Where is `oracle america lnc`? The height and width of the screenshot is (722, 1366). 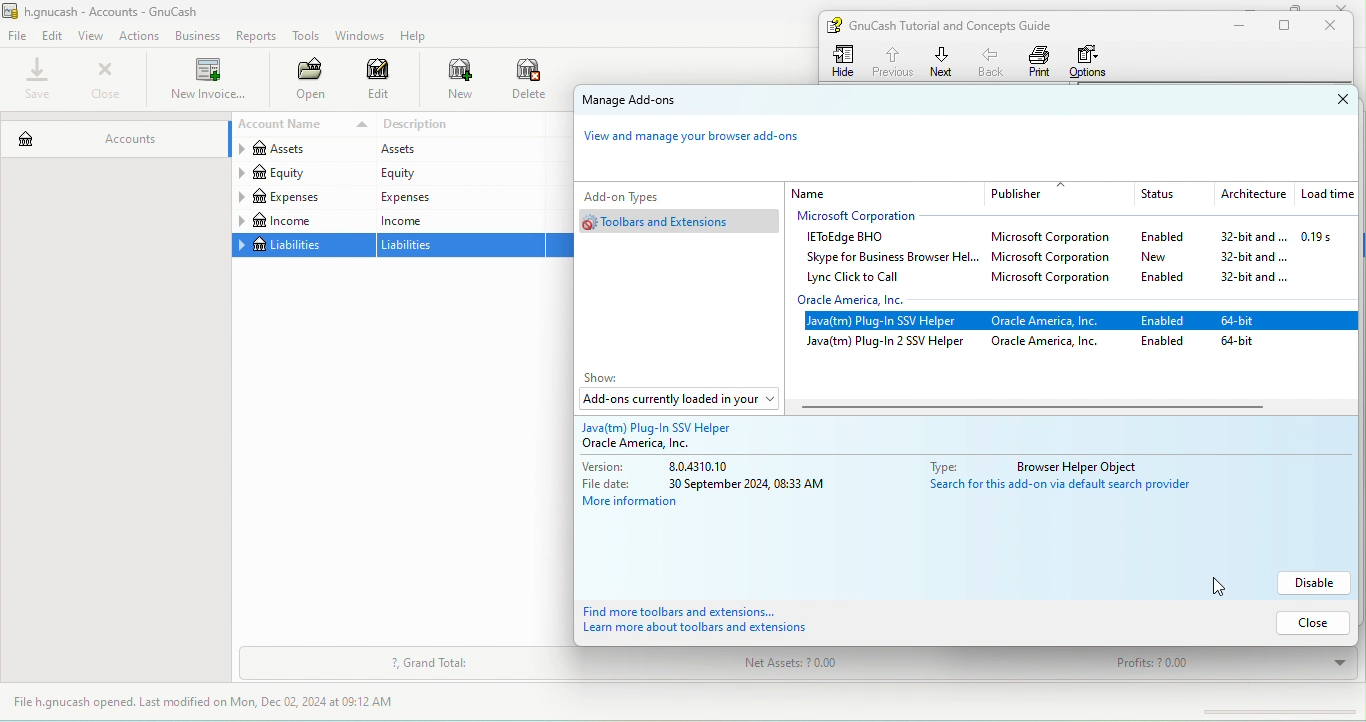
oracle america lnc is located at coordinates (868, 300).